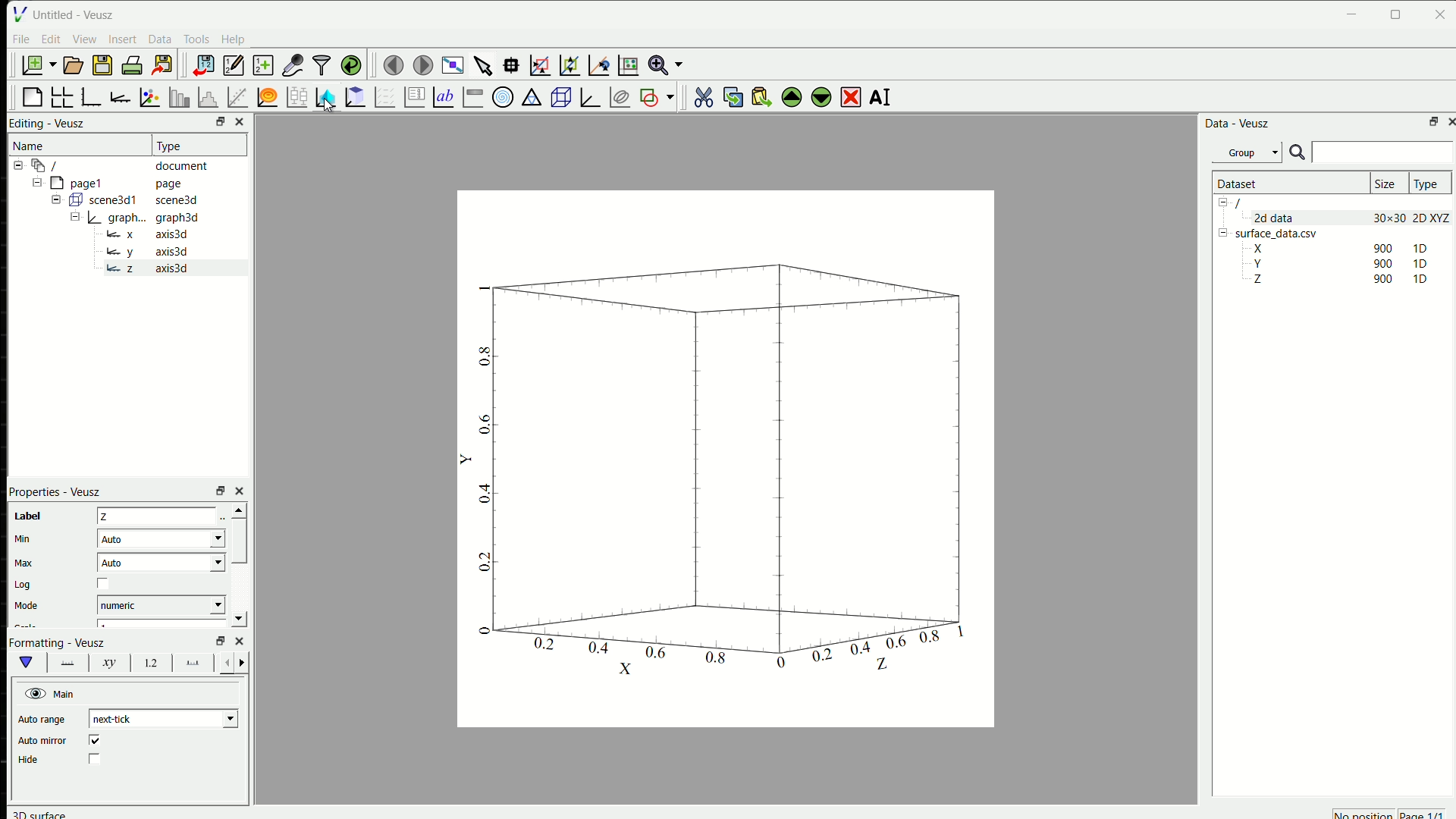 The image size is (1456, 819). Describe the element at coordinates (209, 96) in the screenshot. I see `Histogram of dataset` at that location.